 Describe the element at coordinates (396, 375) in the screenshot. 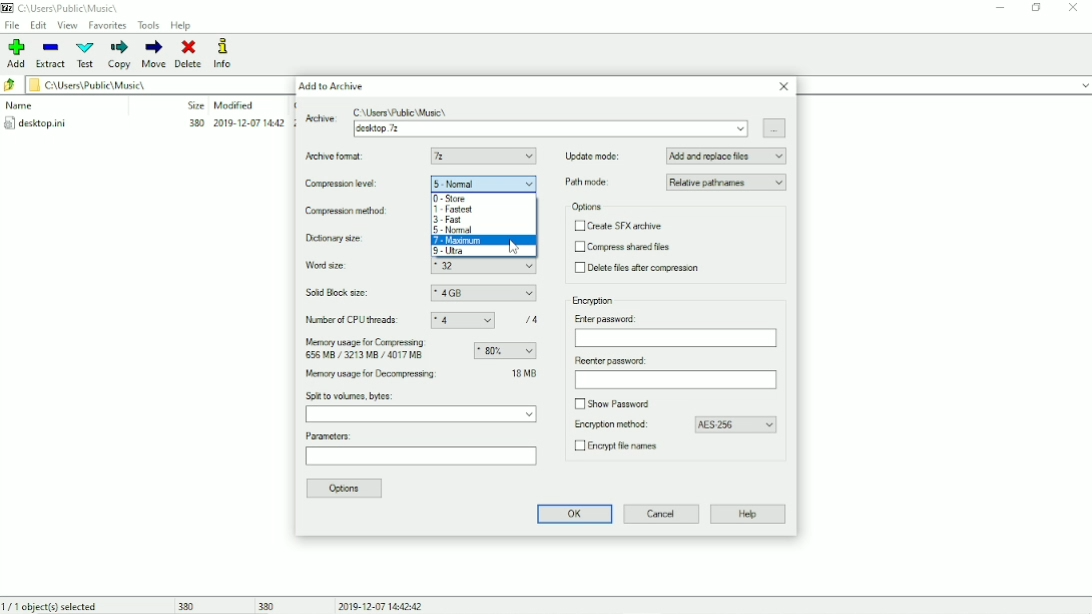

I see `Memory usage for decompressing` at that location.